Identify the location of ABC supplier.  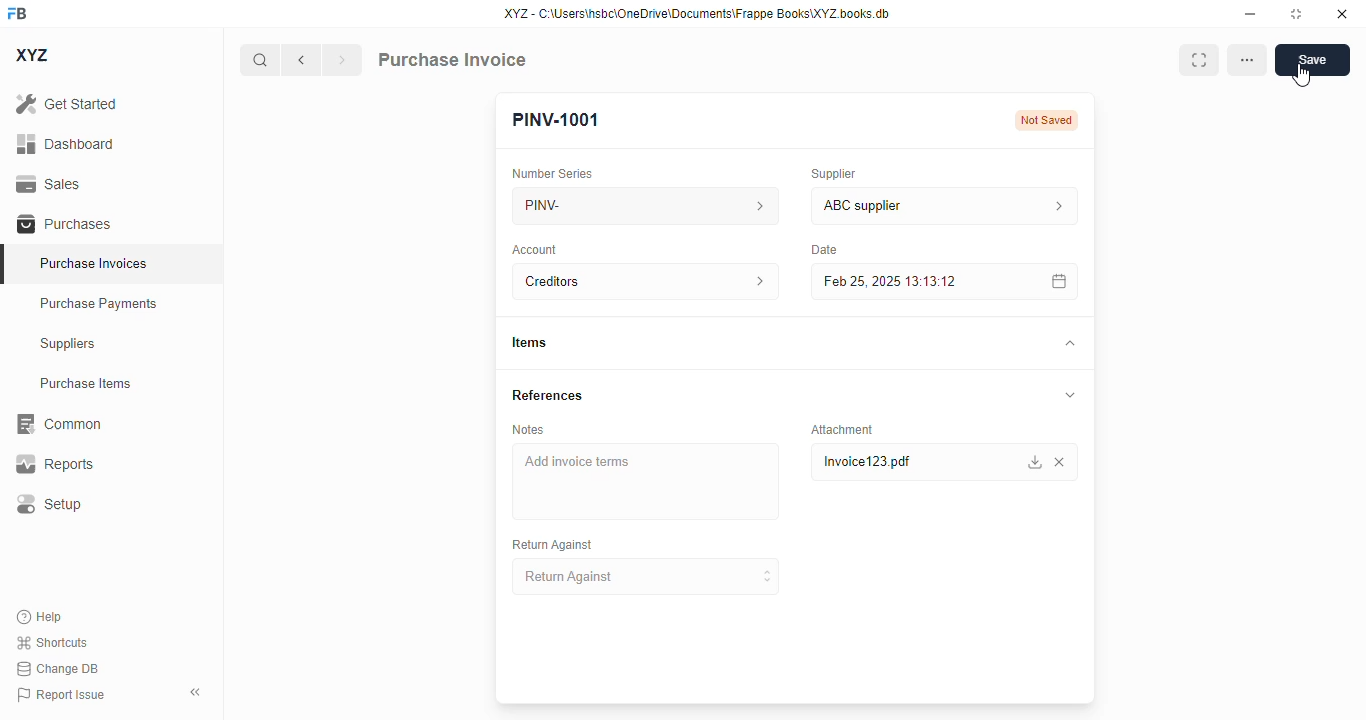
(906, 206).